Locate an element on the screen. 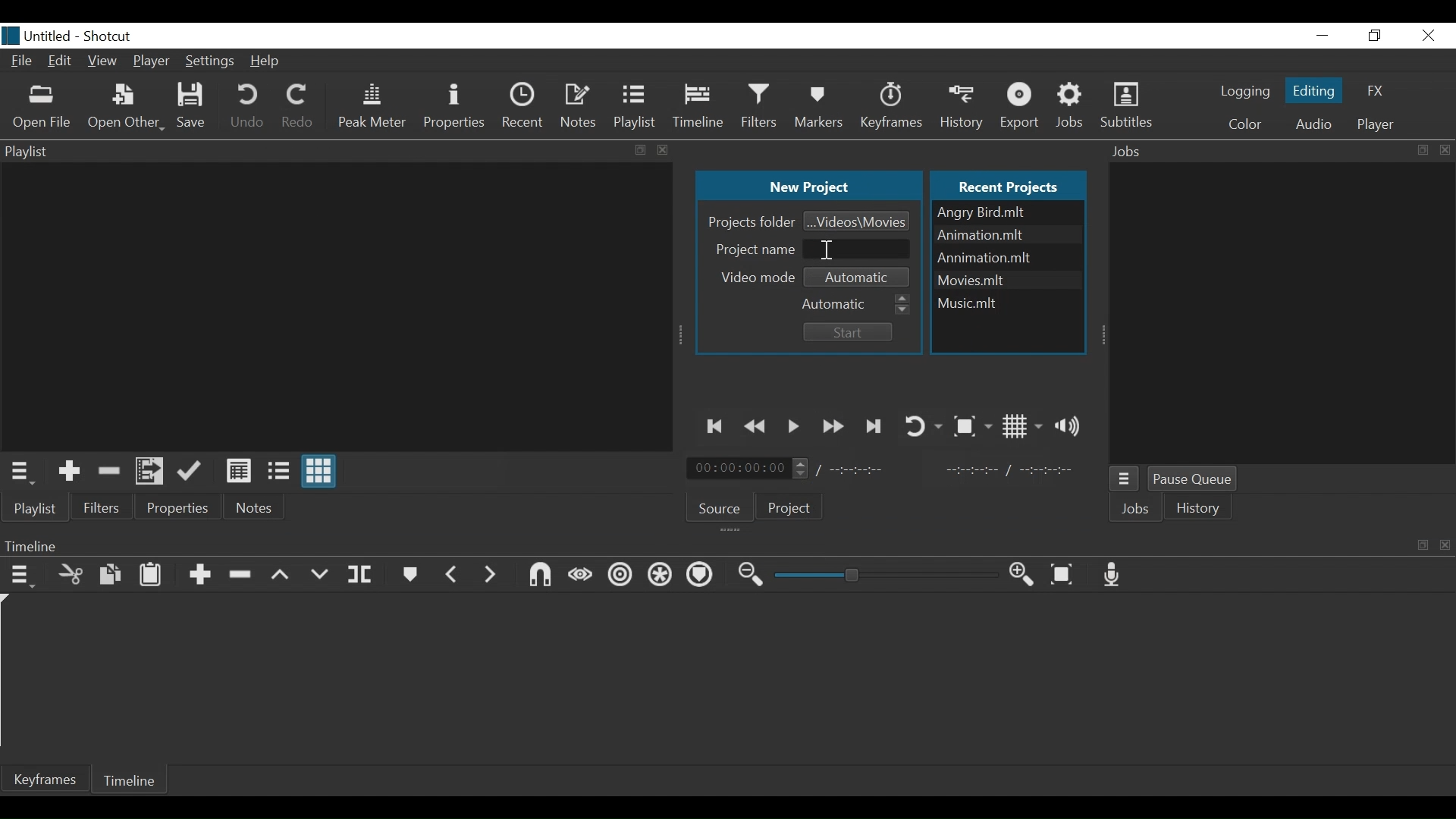 This screenshot has width=1456, height=819. Zoom Timeline to fit is located at coordinates (1065, 575).